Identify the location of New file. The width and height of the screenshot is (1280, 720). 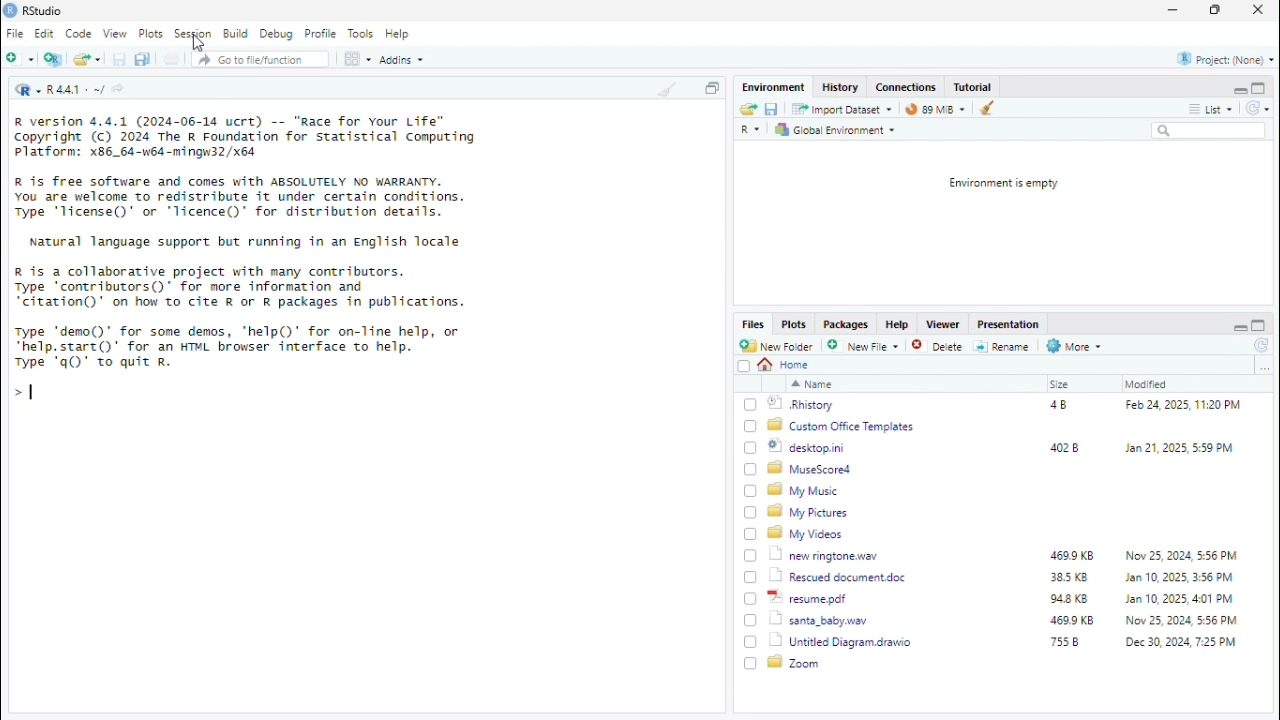
(54, 58).